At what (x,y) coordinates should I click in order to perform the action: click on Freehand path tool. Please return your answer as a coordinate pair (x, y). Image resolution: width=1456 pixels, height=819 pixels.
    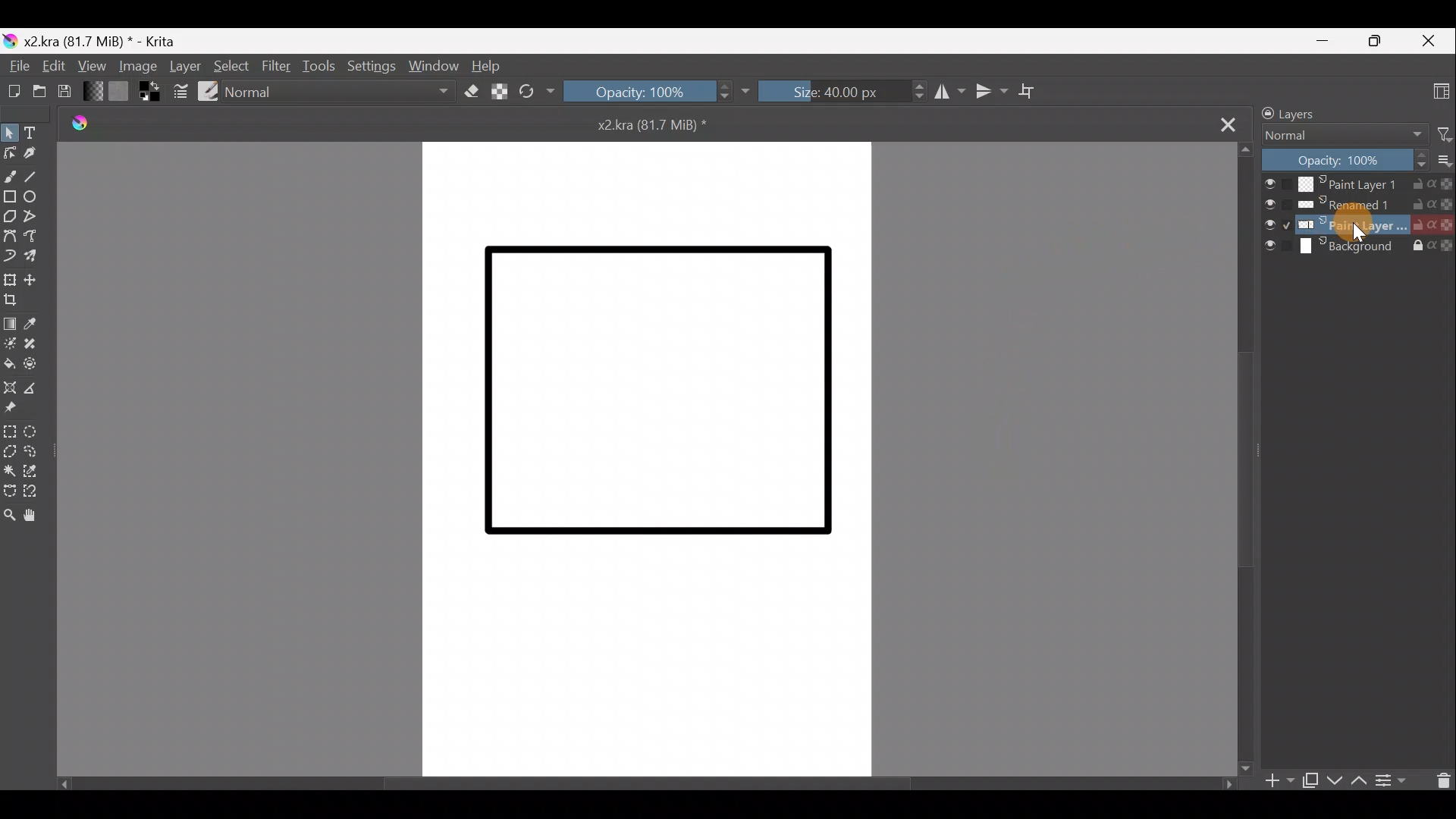
    Looking at the image, I should click on (37, 240).